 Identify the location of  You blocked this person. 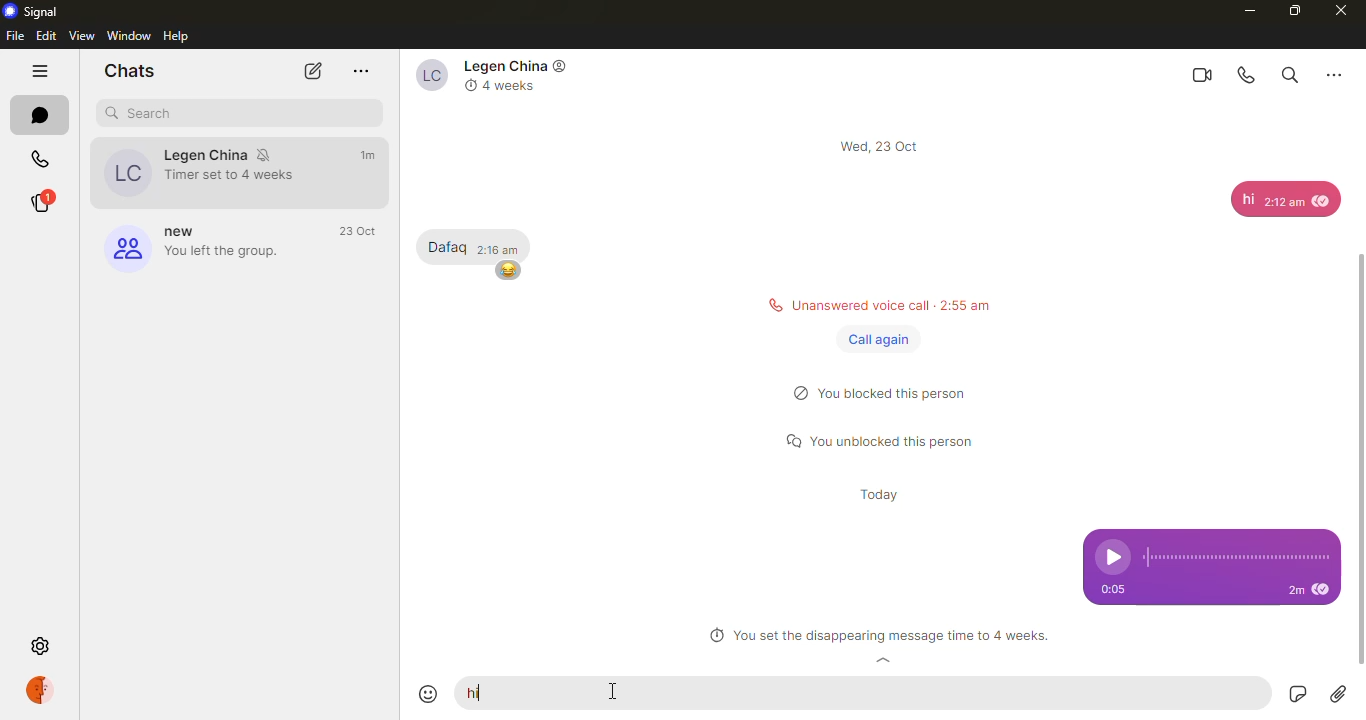
(890, 396).